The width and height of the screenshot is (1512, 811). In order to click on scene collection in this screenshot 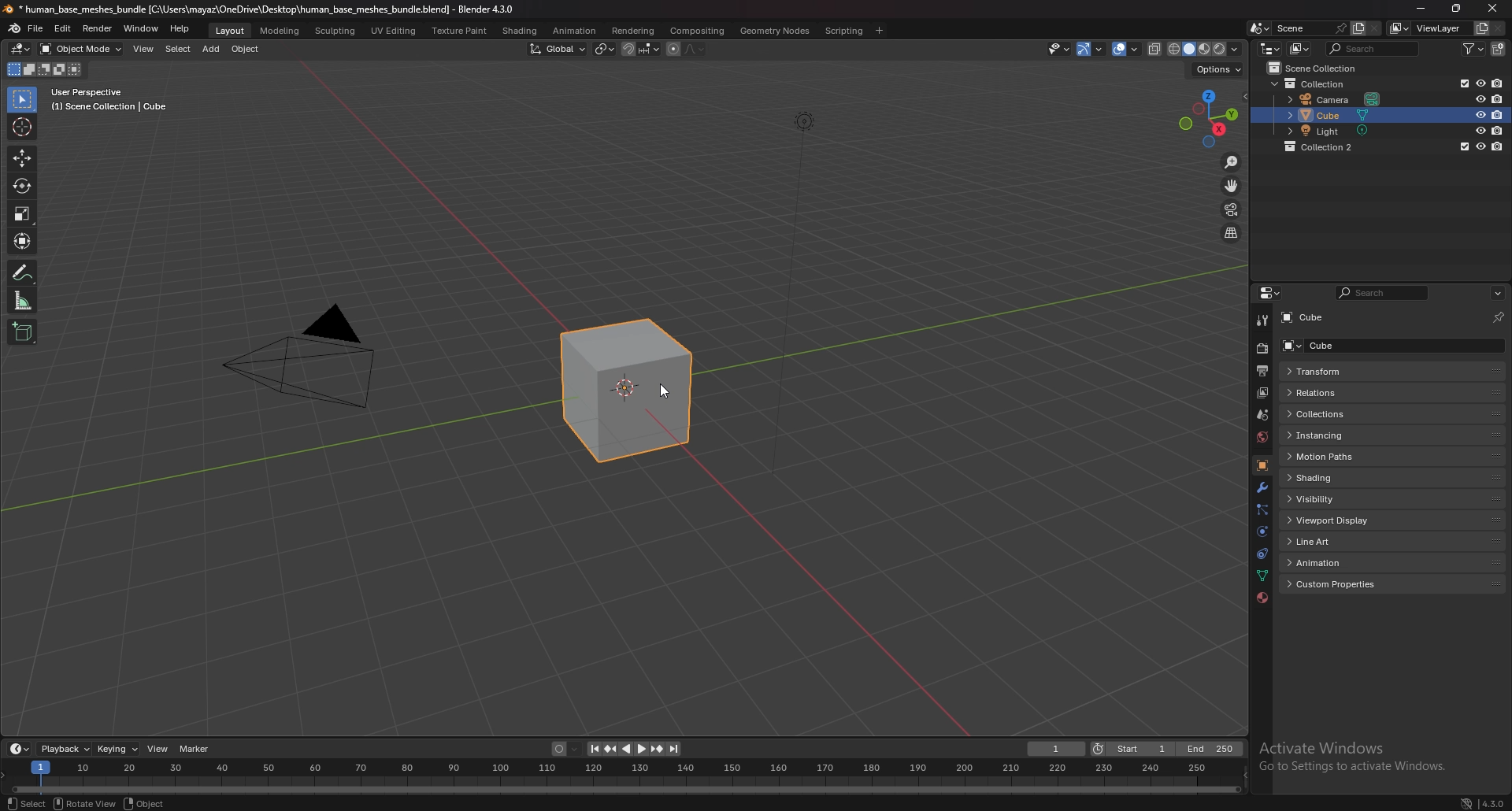, I will do `click(1318, 67)`.